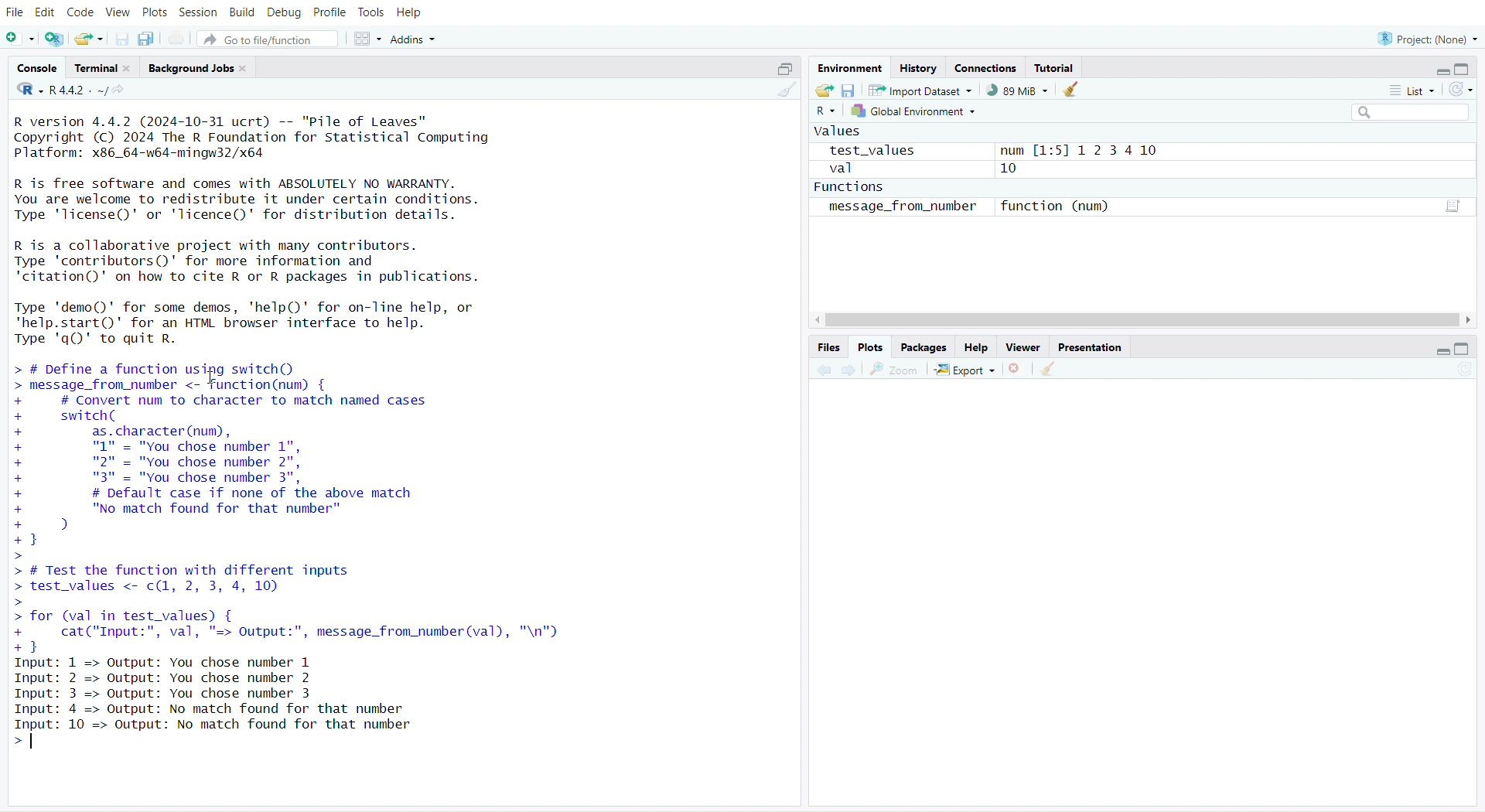  Describe the element at coordinates (119, 39) in the screenshot. I see `Save current document (Ctrl + S)` at that location.